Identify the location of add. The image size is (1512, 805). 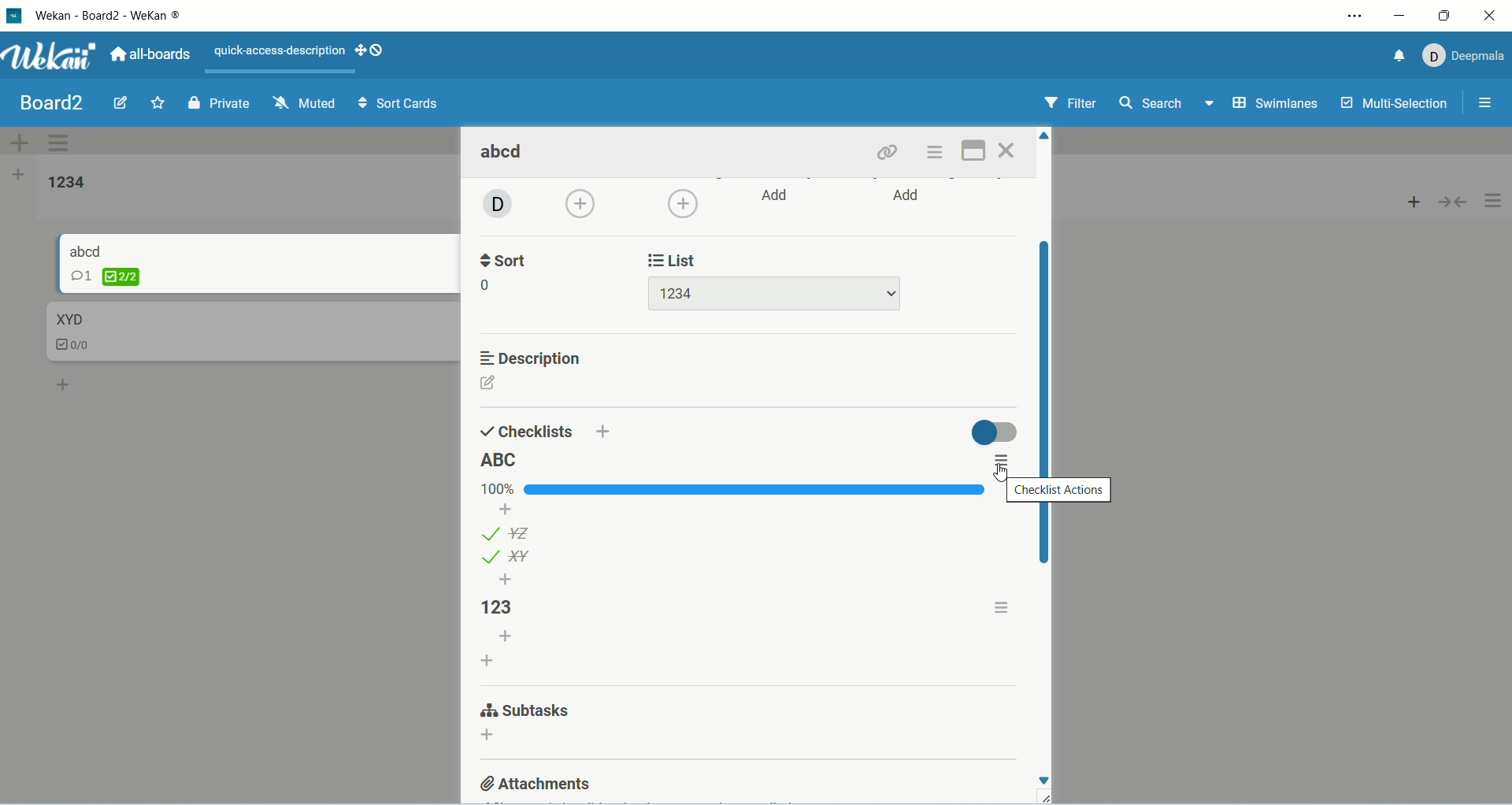
(506, 636).